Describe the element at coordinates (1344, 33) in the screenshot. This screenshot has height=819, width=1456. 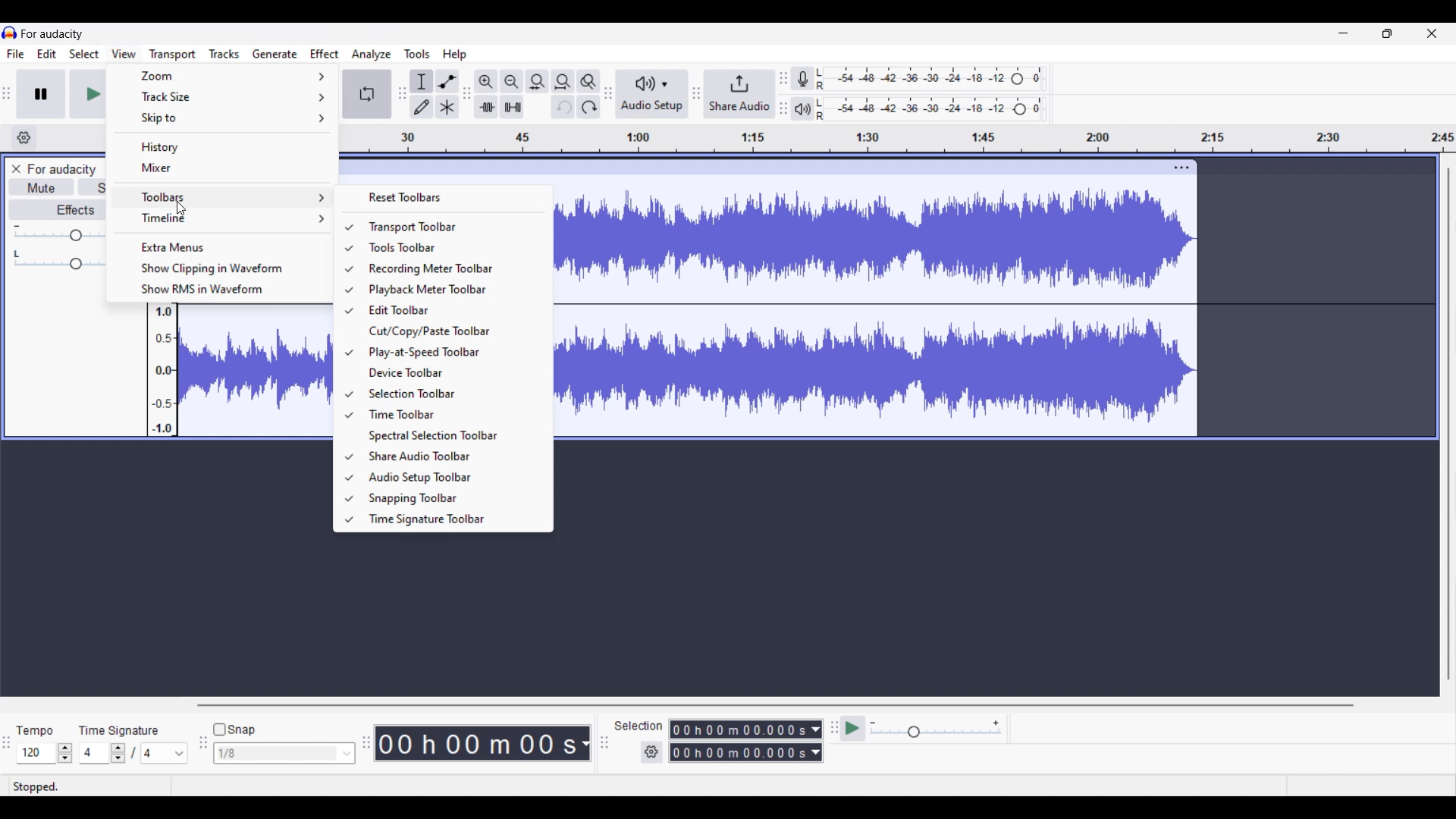
I see `Minimize` at that location.